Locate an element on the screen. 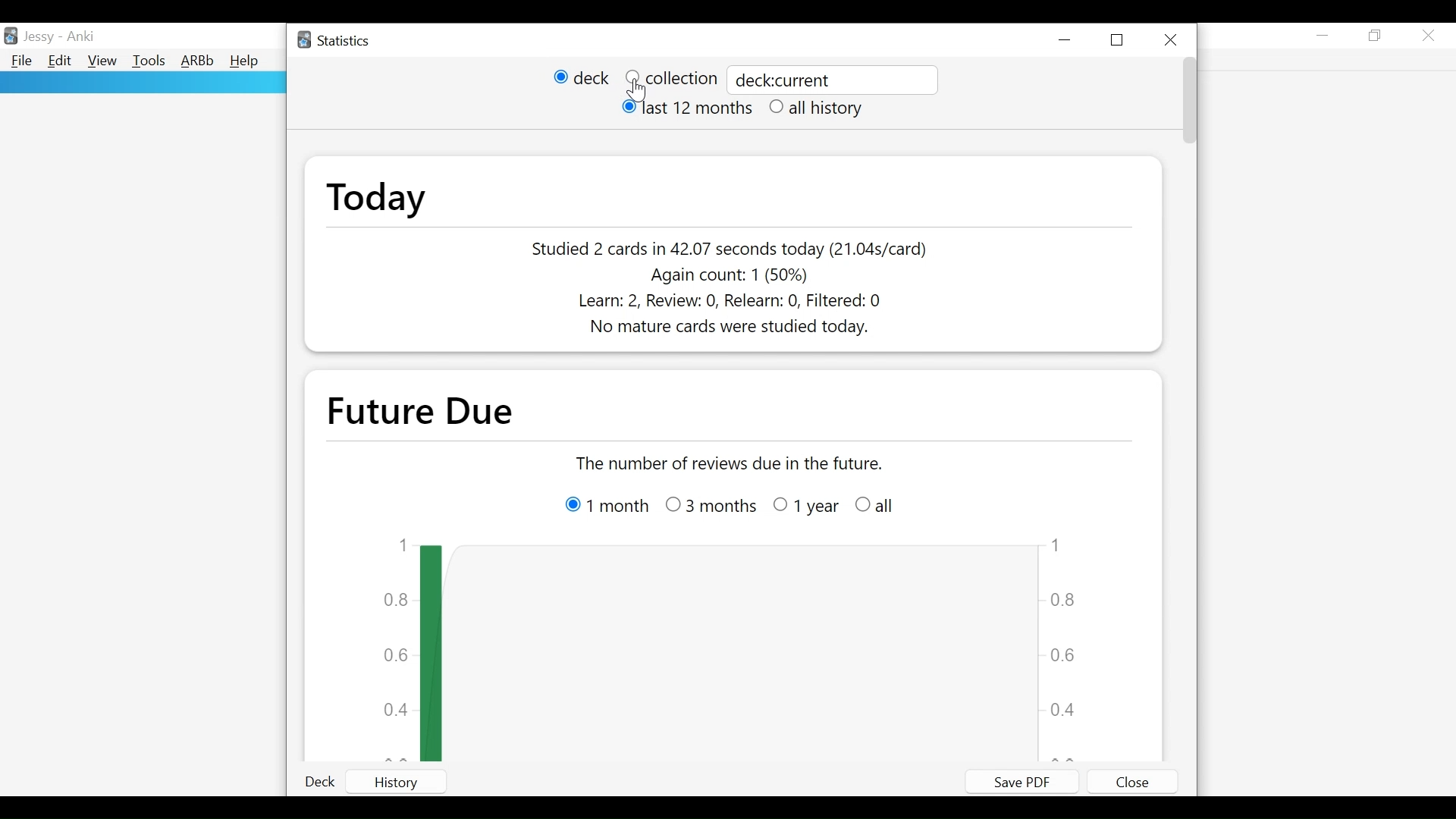 This screenshot has width=1456, height=819. History is located at coordinates (411, 782).